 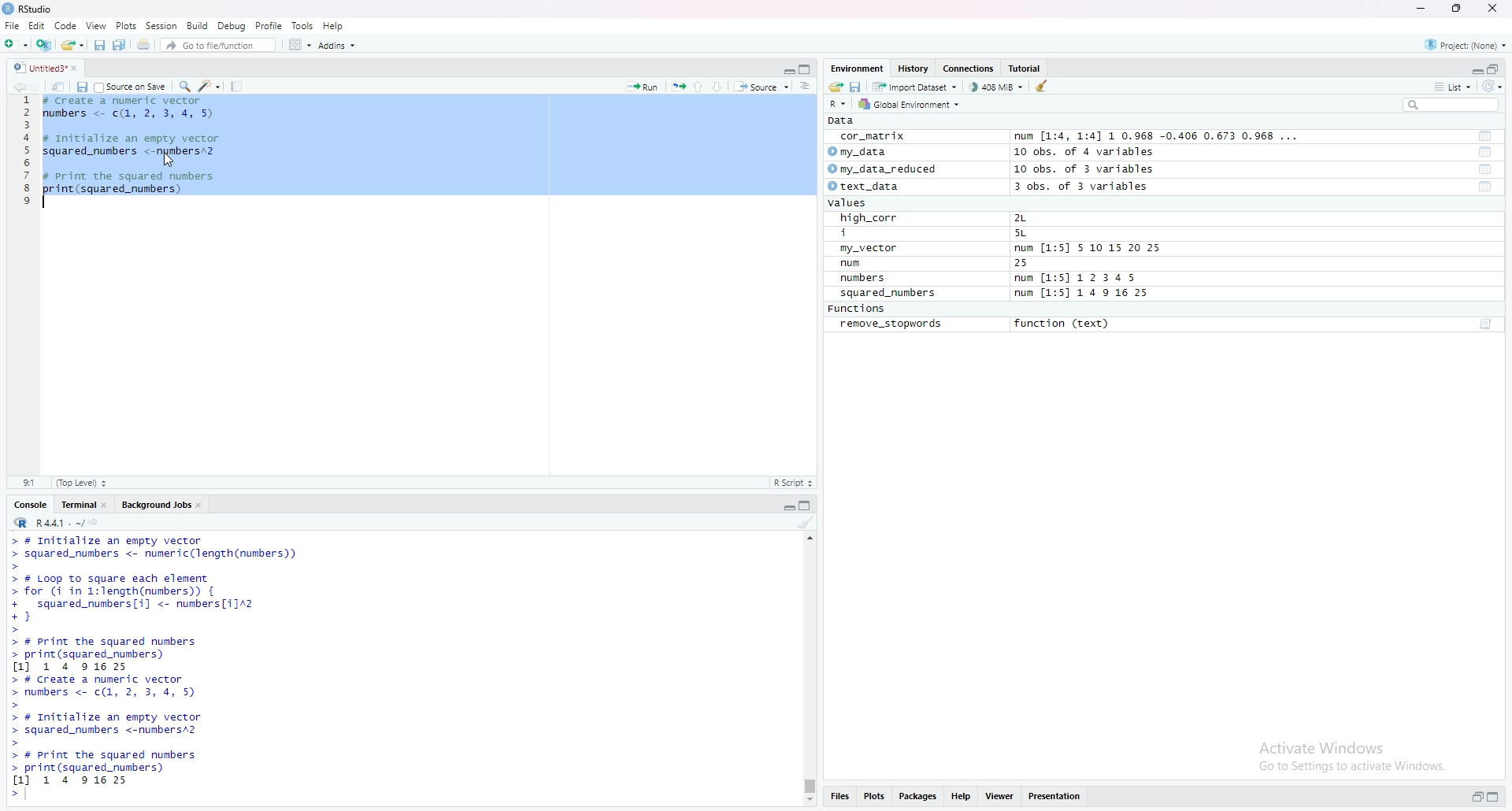 What do you see at coordinates (643, 85) in the screenshot?
I see `Run` at bounding box center [643, 85].